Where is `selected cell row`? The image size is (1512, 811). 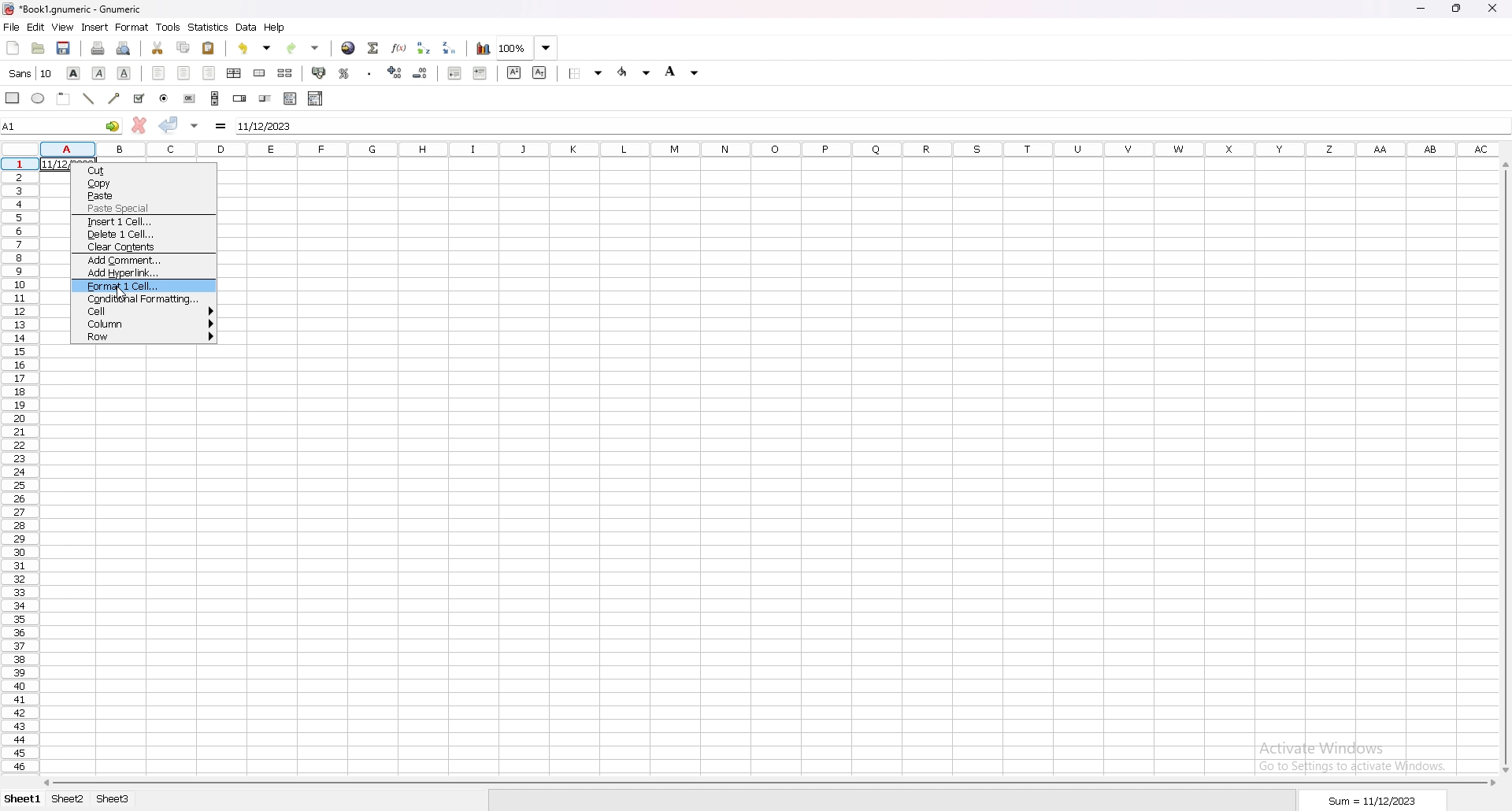
selected cell row is located at coordinates (20, 465).